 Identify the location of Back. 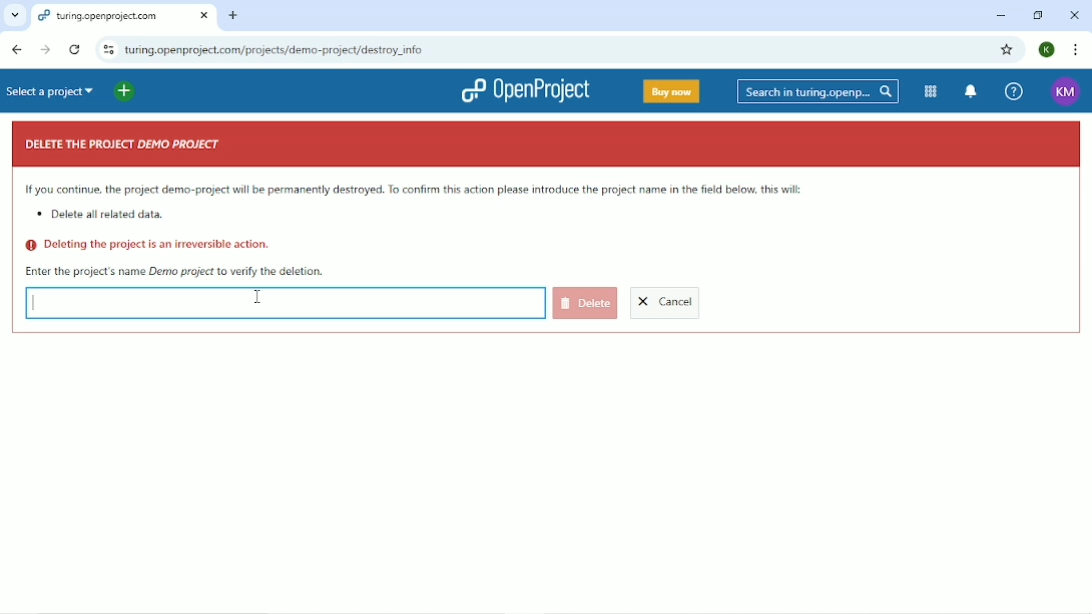
(15, 49).